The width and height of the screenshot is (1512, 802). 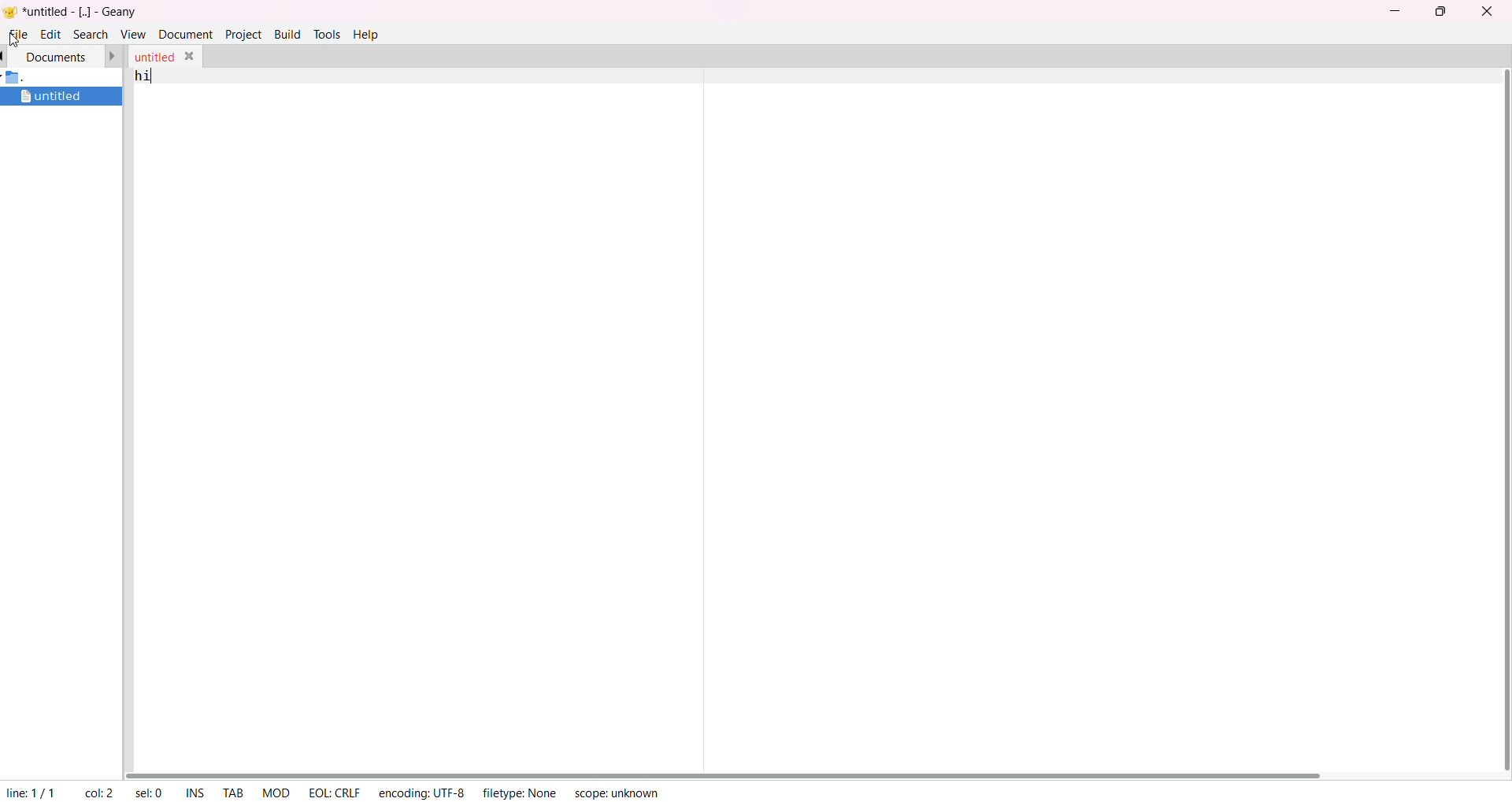 What do you see at coordinates (367, 35) in the screenshot?
I see `help` at bounding box center [367, 35].